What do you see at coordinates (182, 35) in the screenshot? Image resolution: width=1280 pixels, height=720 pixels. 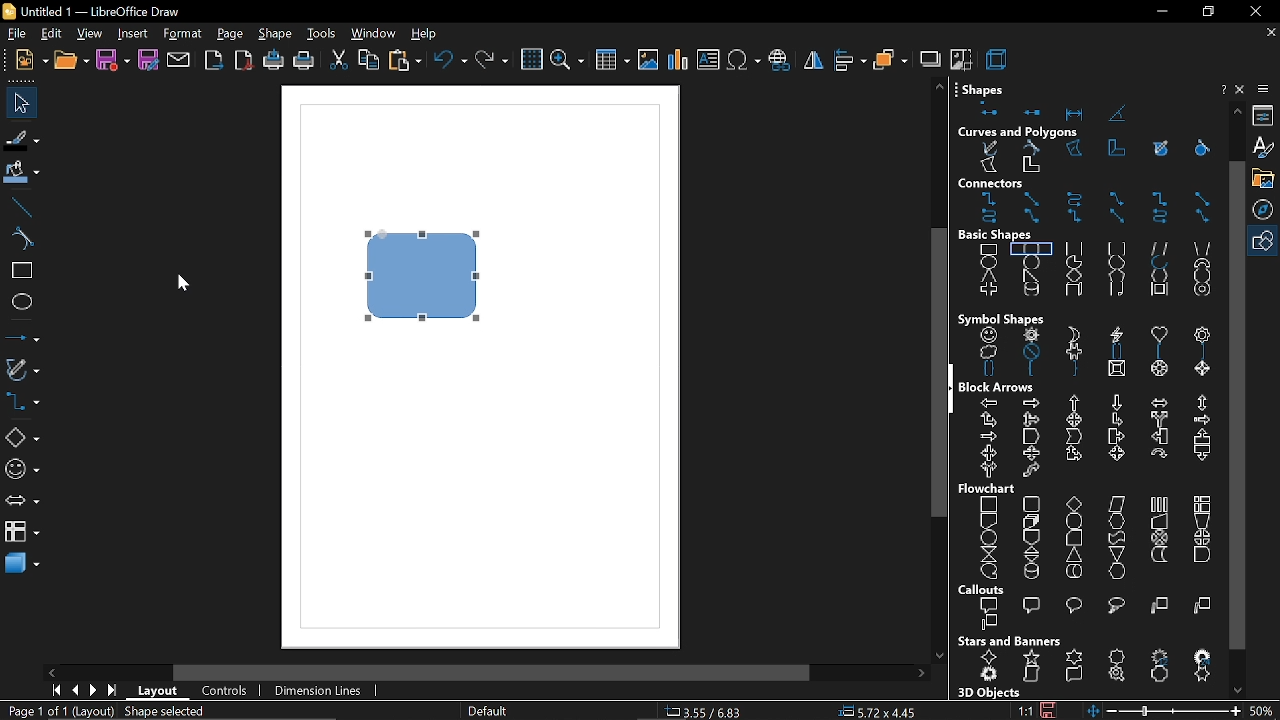 I see `format` at bounding box center [182, 35].